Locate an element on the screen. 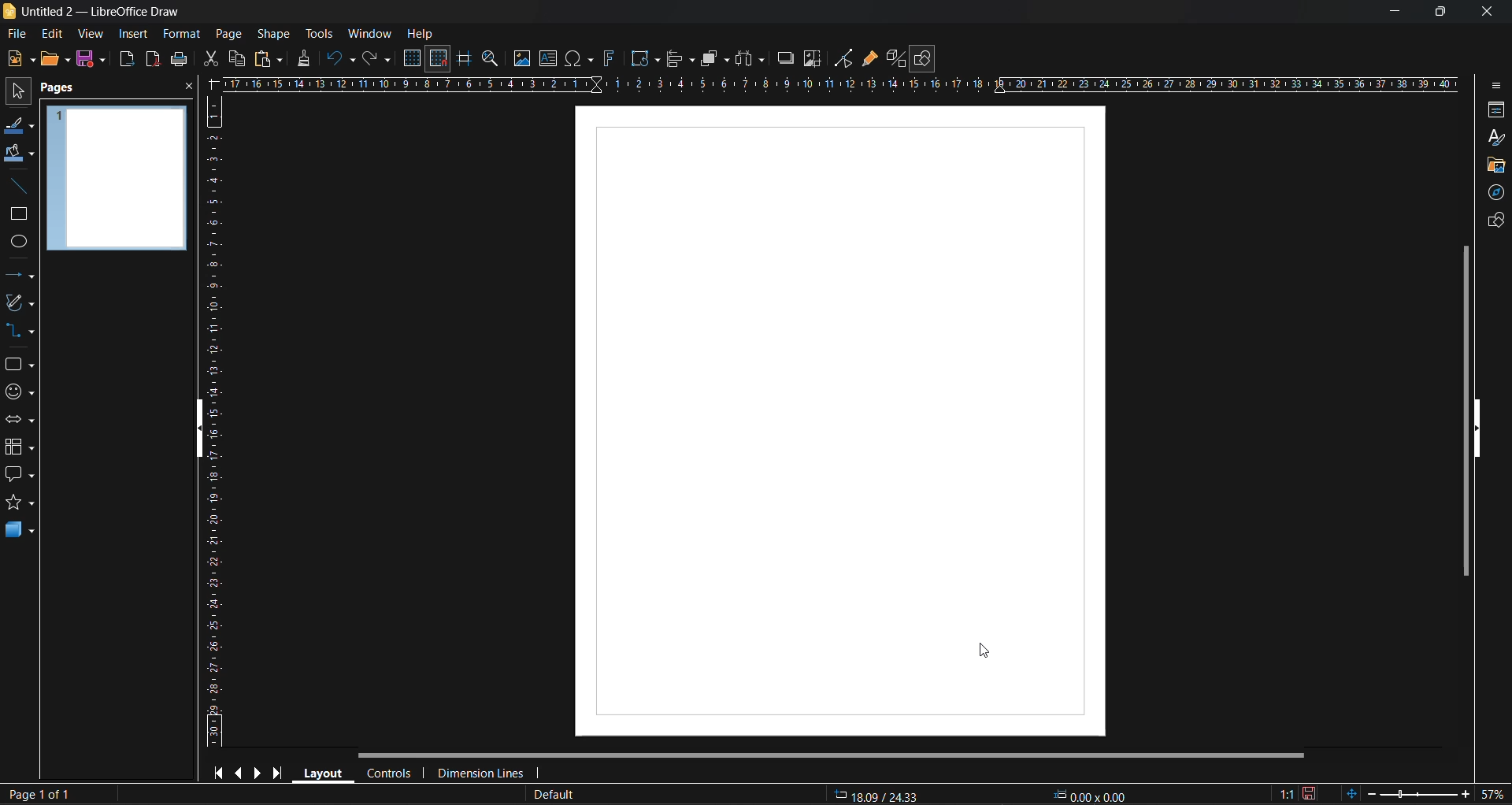 This screenshot has height=805, width=1512. format is located at coordinates (180, 33).